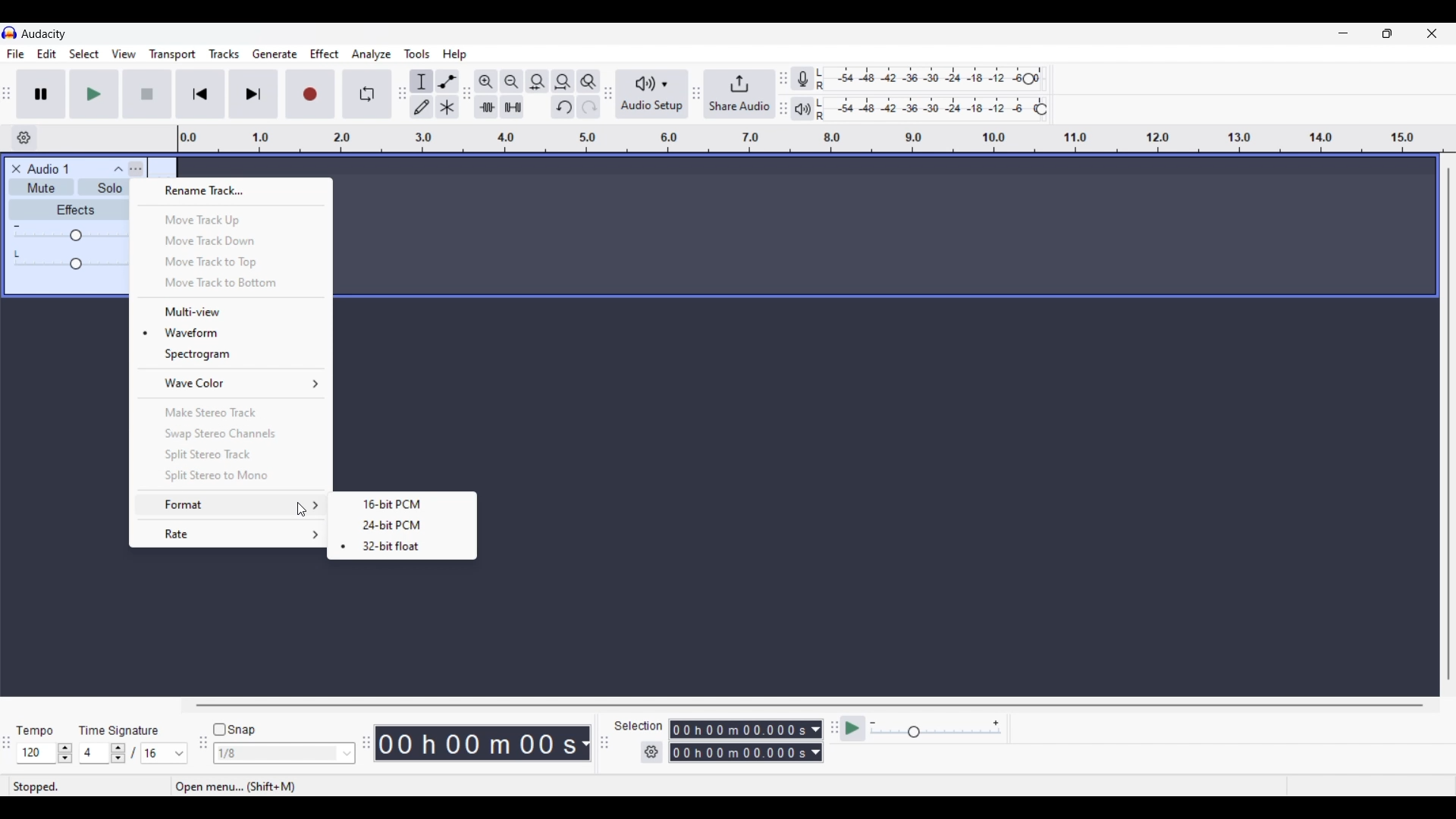  What do you see at coordinates (417, 54) in the screenshot?
I see `Tools menu` at bounding box center [417, 54].